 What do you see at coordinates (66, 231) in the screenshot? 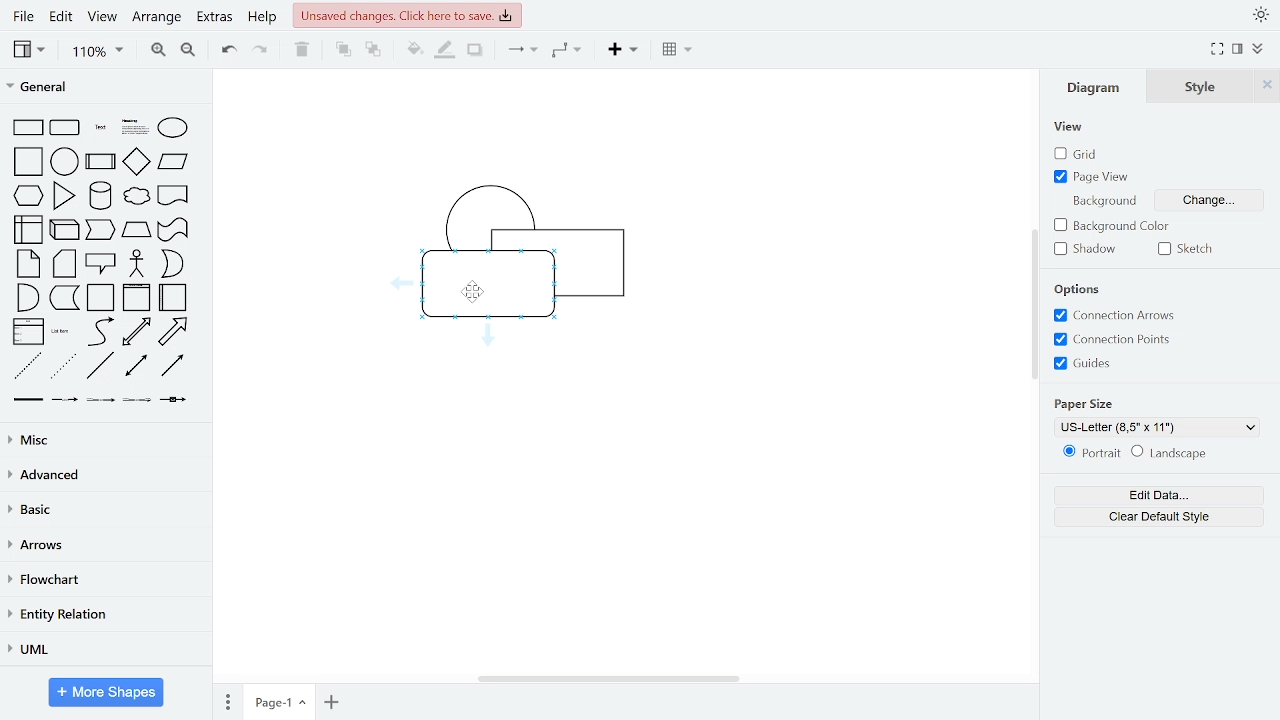
I see `cube` at bounding box center [66, 231].